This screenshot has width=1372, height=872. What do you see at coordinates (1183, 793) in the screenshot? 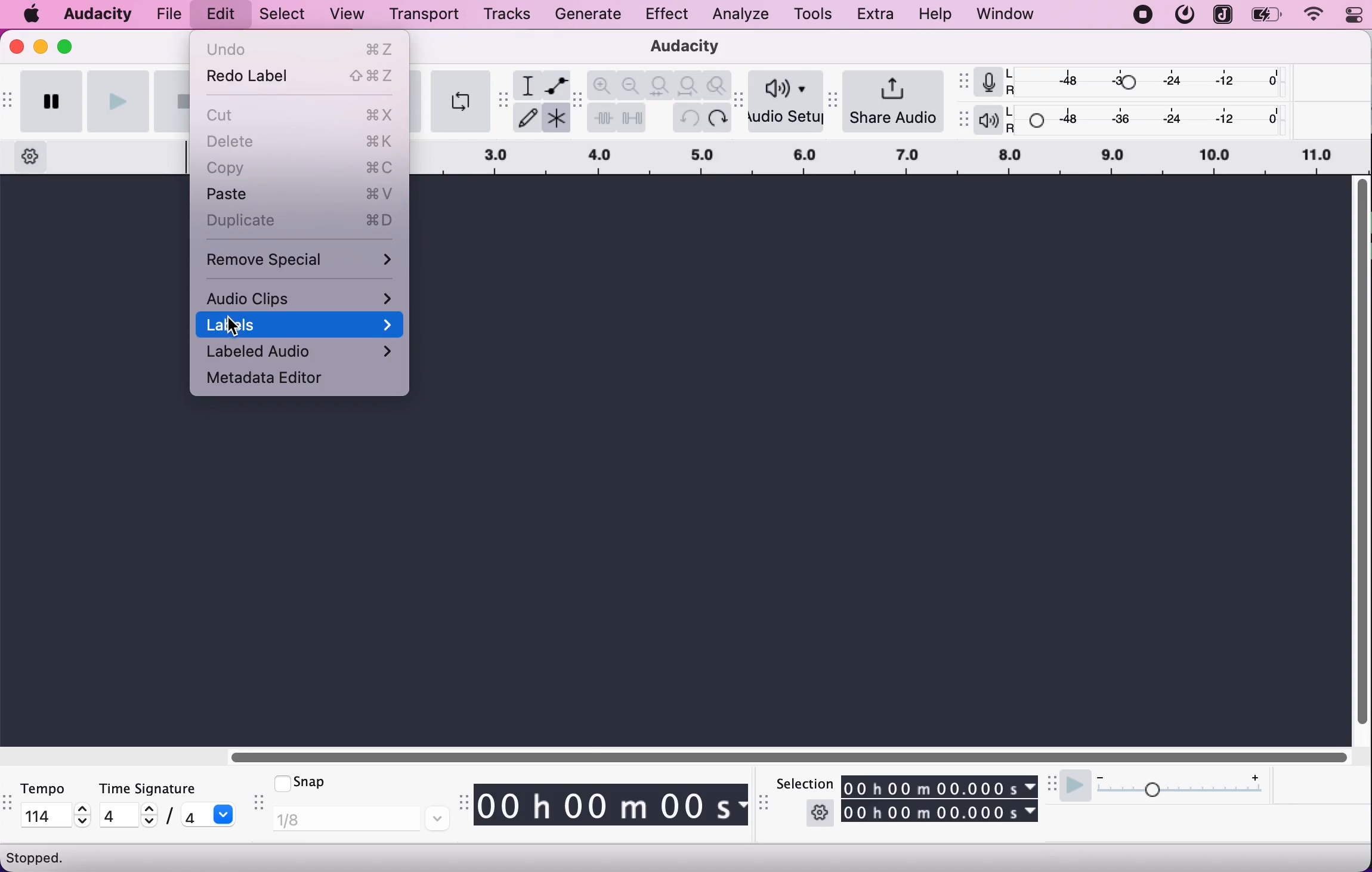
I see `playback speed` at bounding box center [1183, 793].